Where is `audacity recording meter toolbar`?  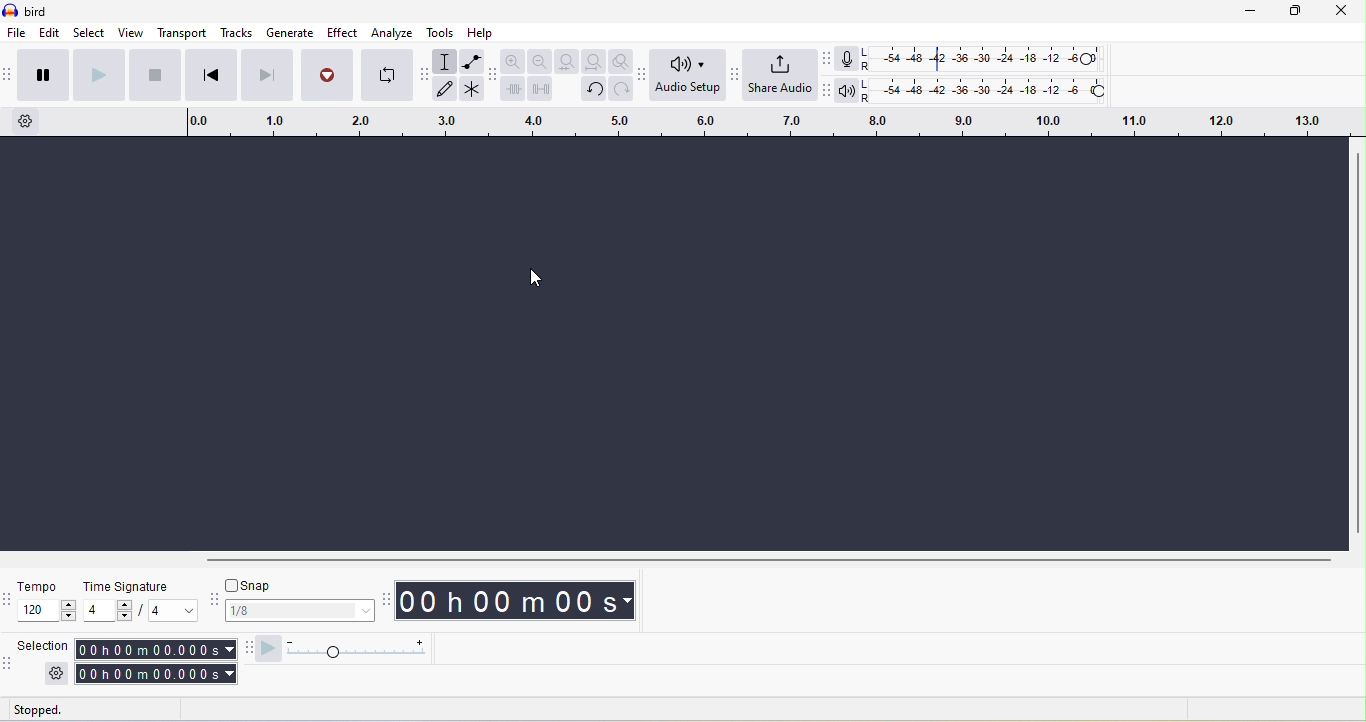 audacity recording meter toolbar is located at coordinates (827, 59).